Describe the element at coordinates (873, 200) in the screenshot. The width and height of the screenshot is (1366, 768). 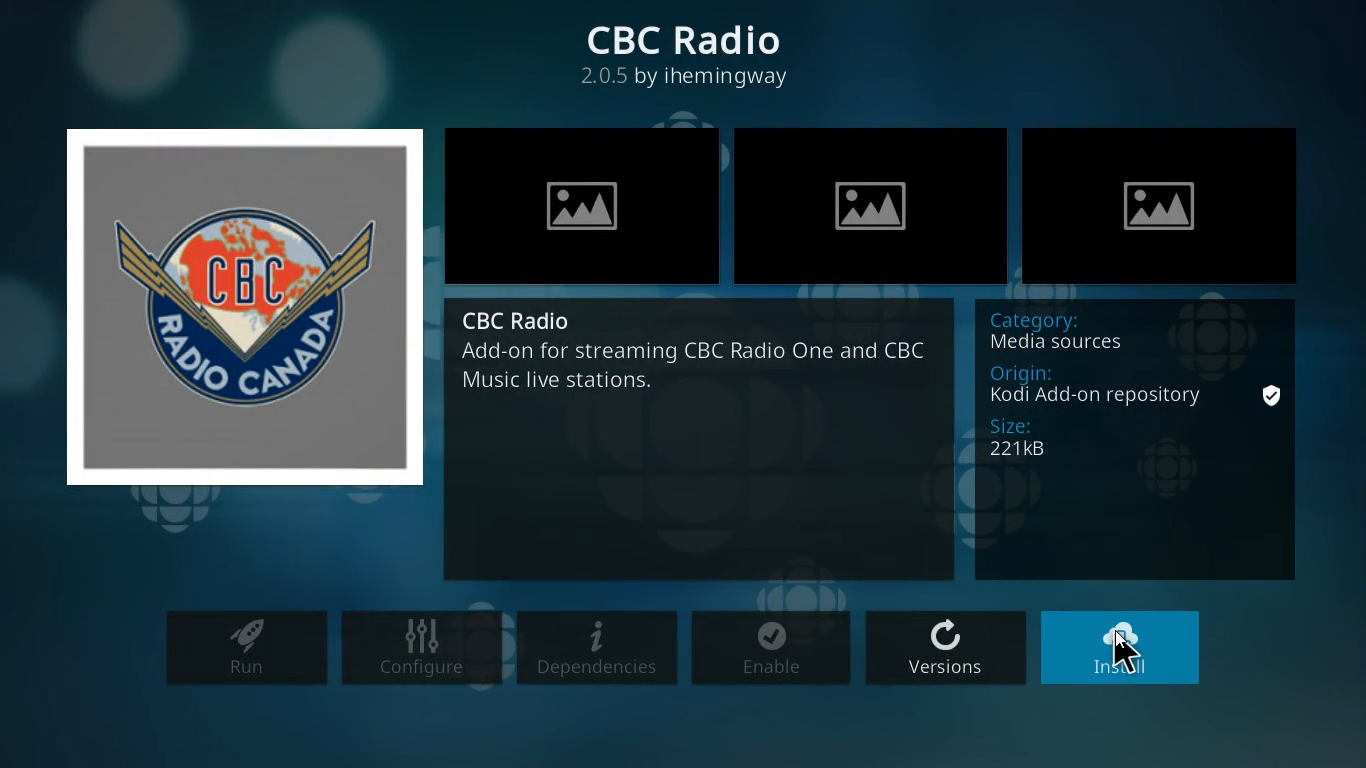
I see `pictures` at that location.